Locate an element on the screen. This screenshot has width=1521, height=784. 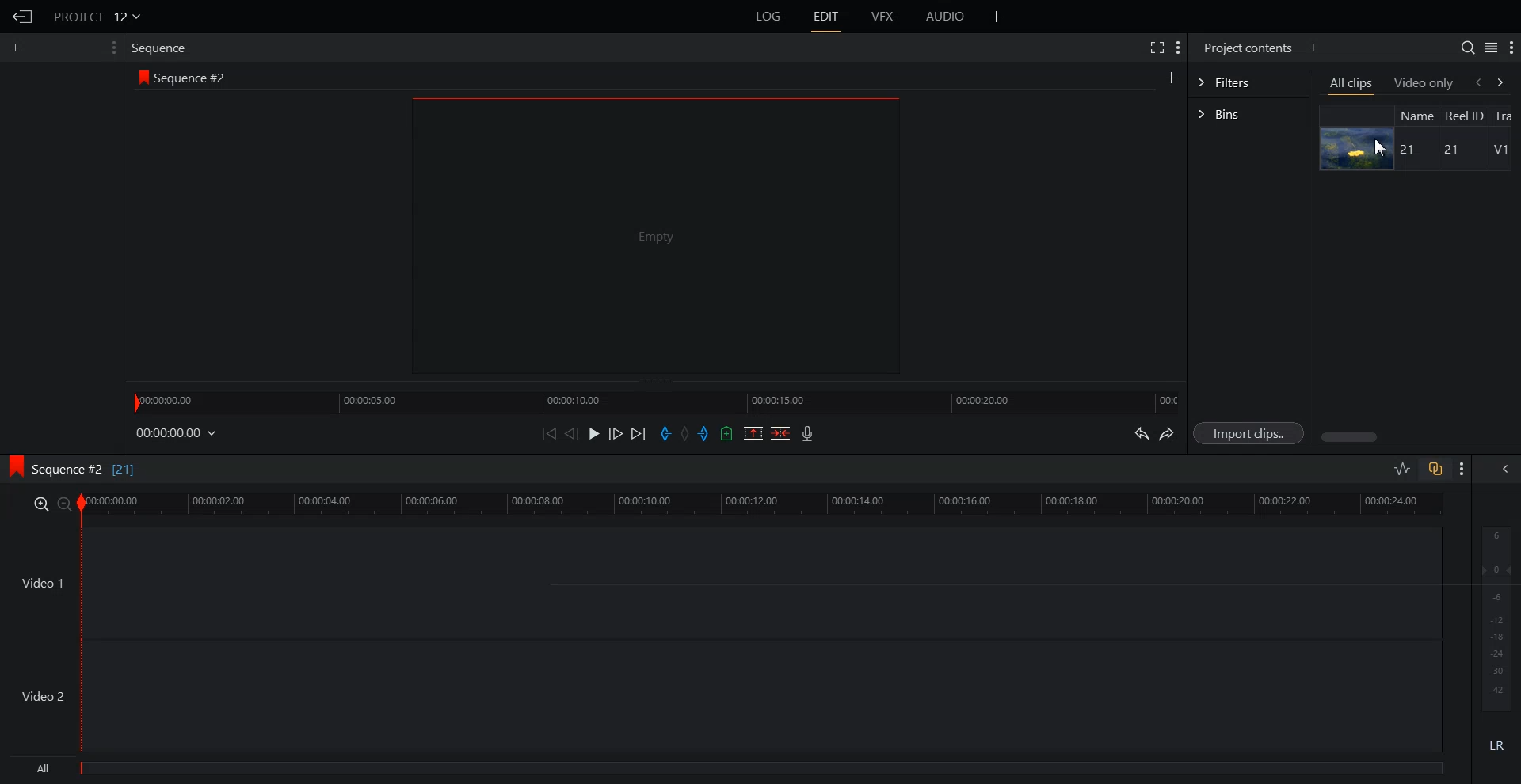
Show Setting Menu is located at coordinates (1511, 48).